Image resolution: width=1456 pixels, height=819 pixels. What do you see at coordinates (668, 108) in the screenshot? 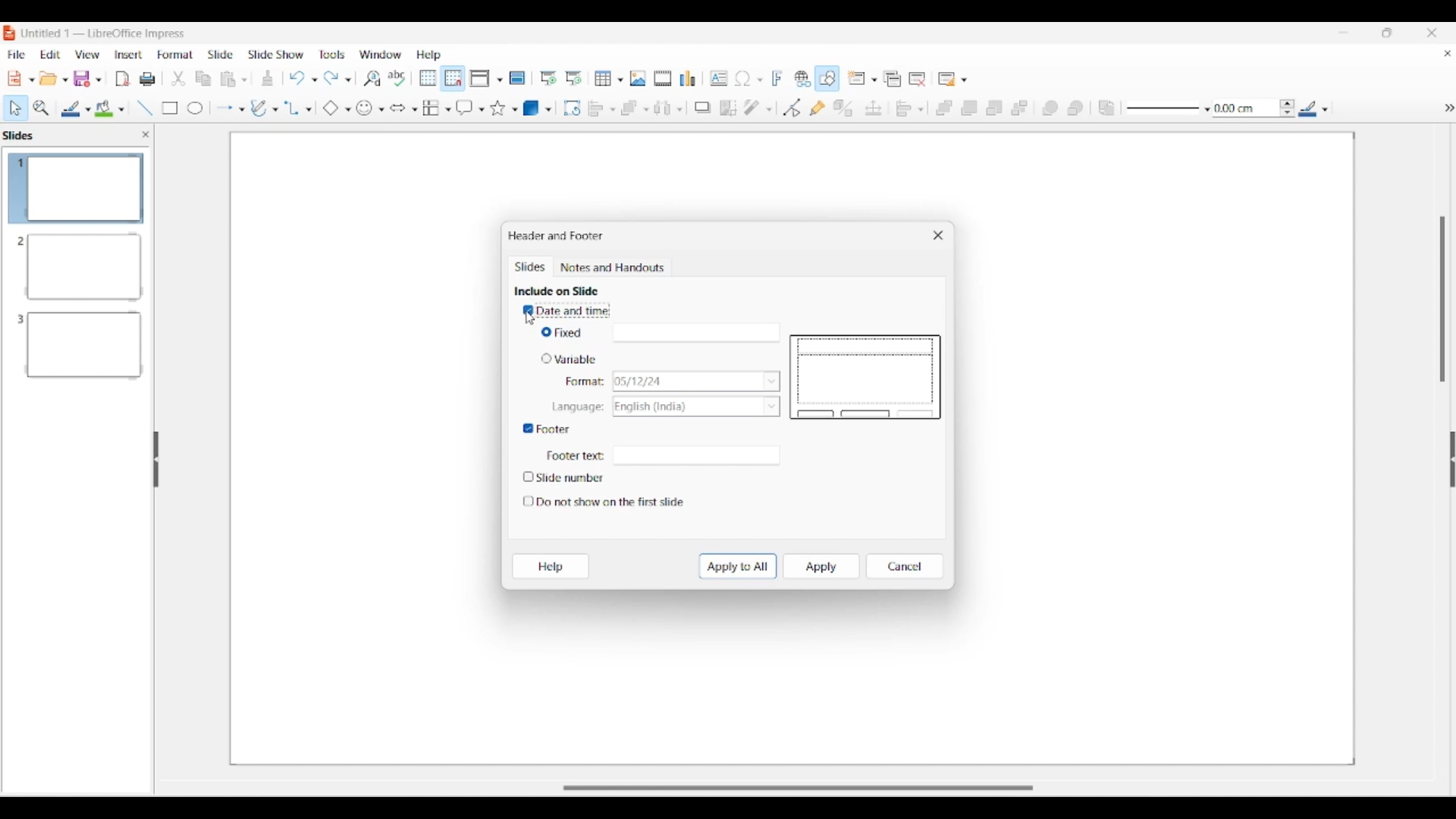
I see `Select at least 3 objects to distribute` at bounding box center [668, 108].